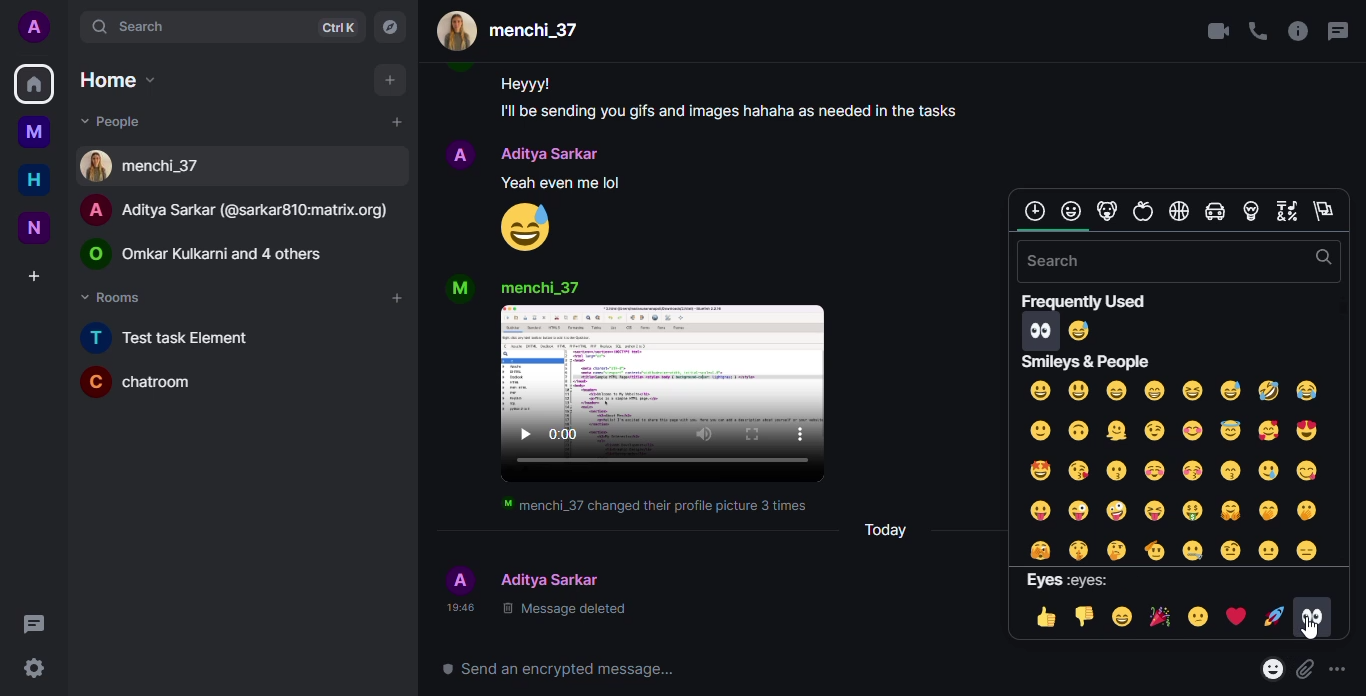 The width and height of the screenshot is (1366, 696). Describe the element at coordinates (1340, 30) in the screenshot. I see `threads` at that location.